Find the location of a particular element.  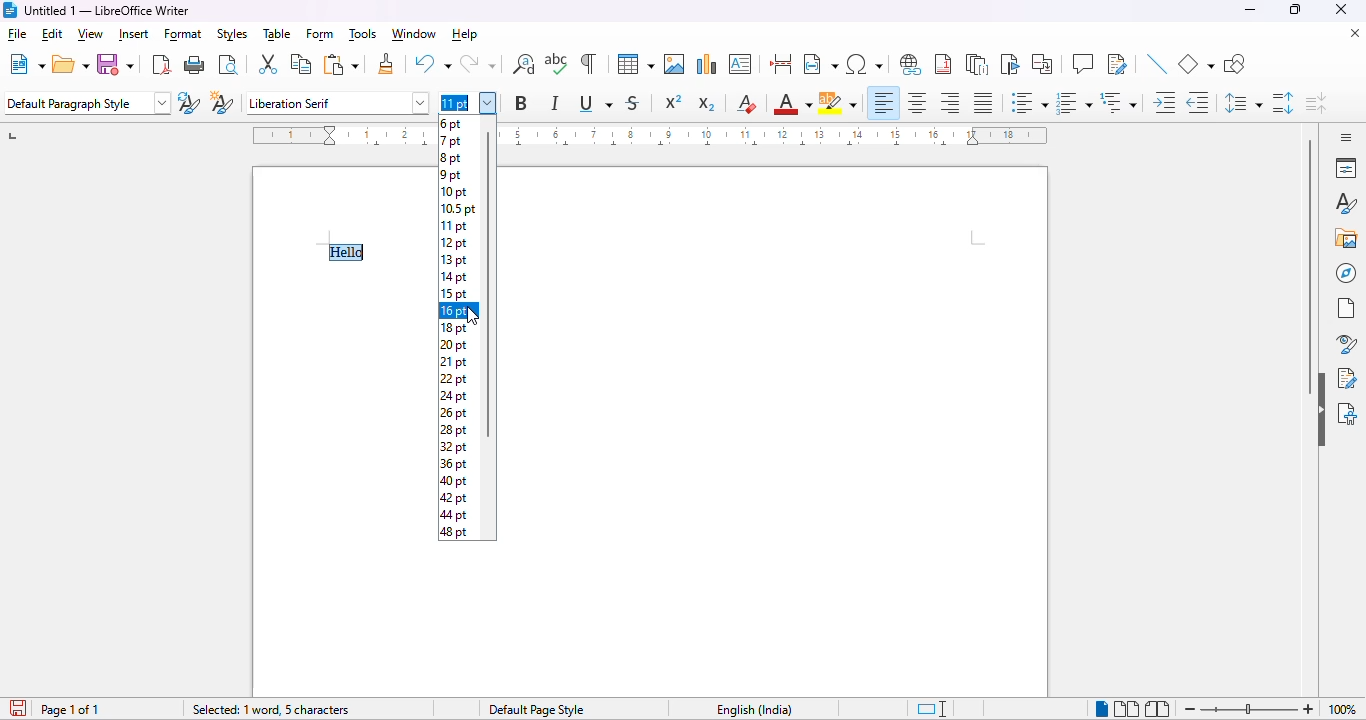

export directly as PDF is located at coordinates (161, 65).